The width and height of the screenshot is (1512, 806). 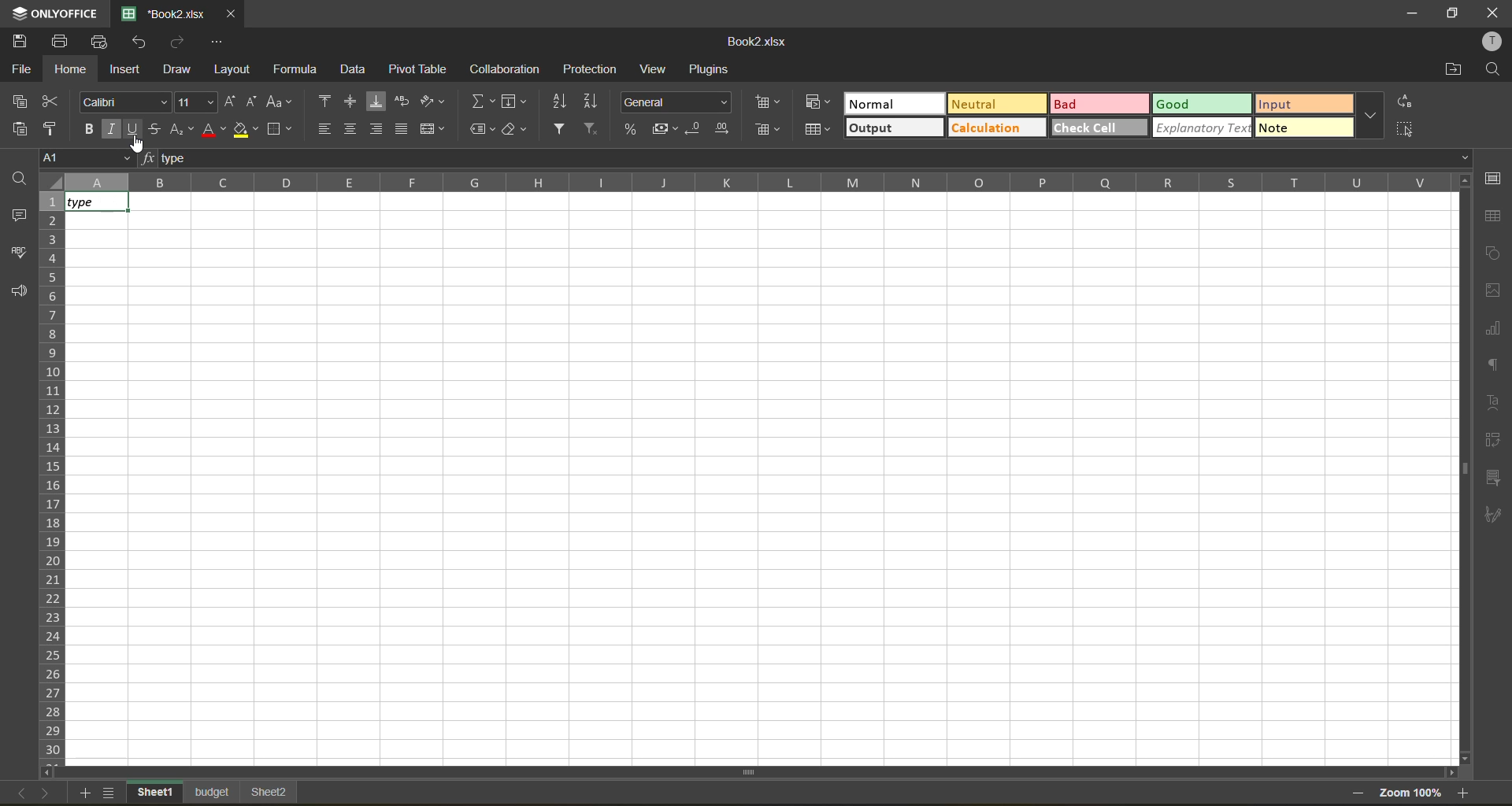 I want to click on profile, so click(x=1493, y=44).